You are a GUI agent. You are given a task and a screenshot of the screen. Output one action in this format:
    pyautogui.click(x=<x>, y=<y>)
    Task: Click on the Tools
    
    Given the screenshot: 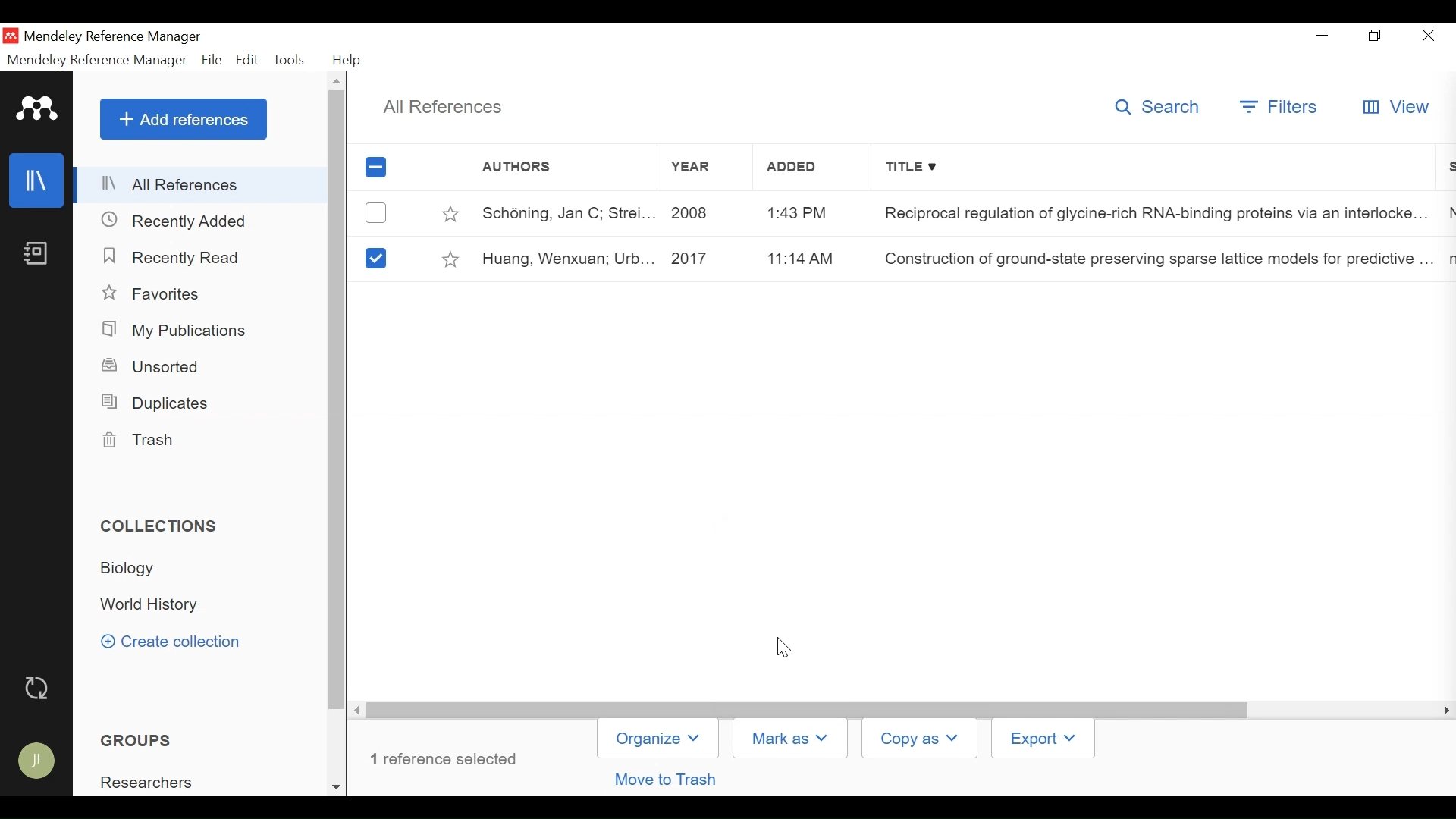 What is the action you would take?
    pyautogui.click(x=290, y=59)
    